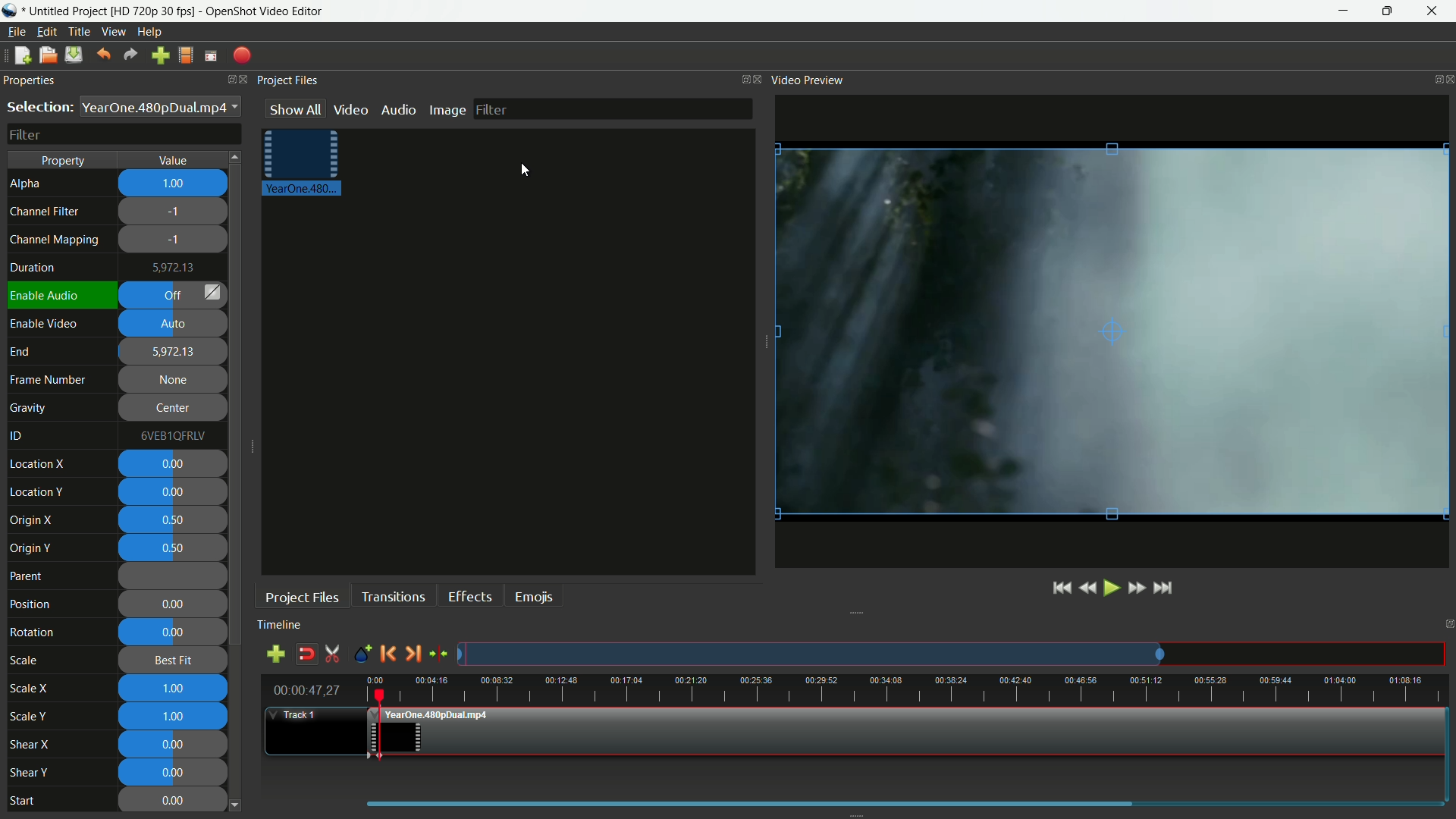 Image resolution: width=1456 pixels, height=819 pixels. I want to click on duration, so click(30, 268).